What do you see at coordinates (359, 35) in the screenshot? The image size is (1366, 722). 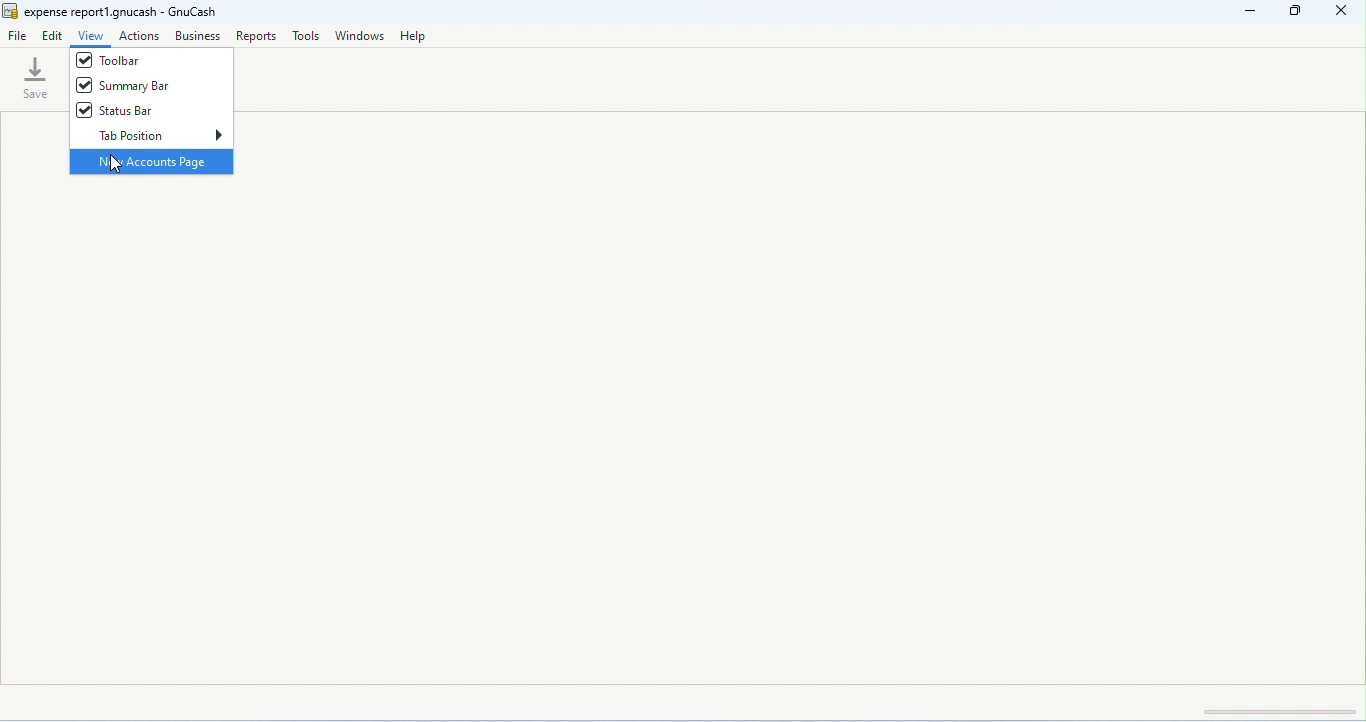 I see `windows` at bounding box center [359, 35].